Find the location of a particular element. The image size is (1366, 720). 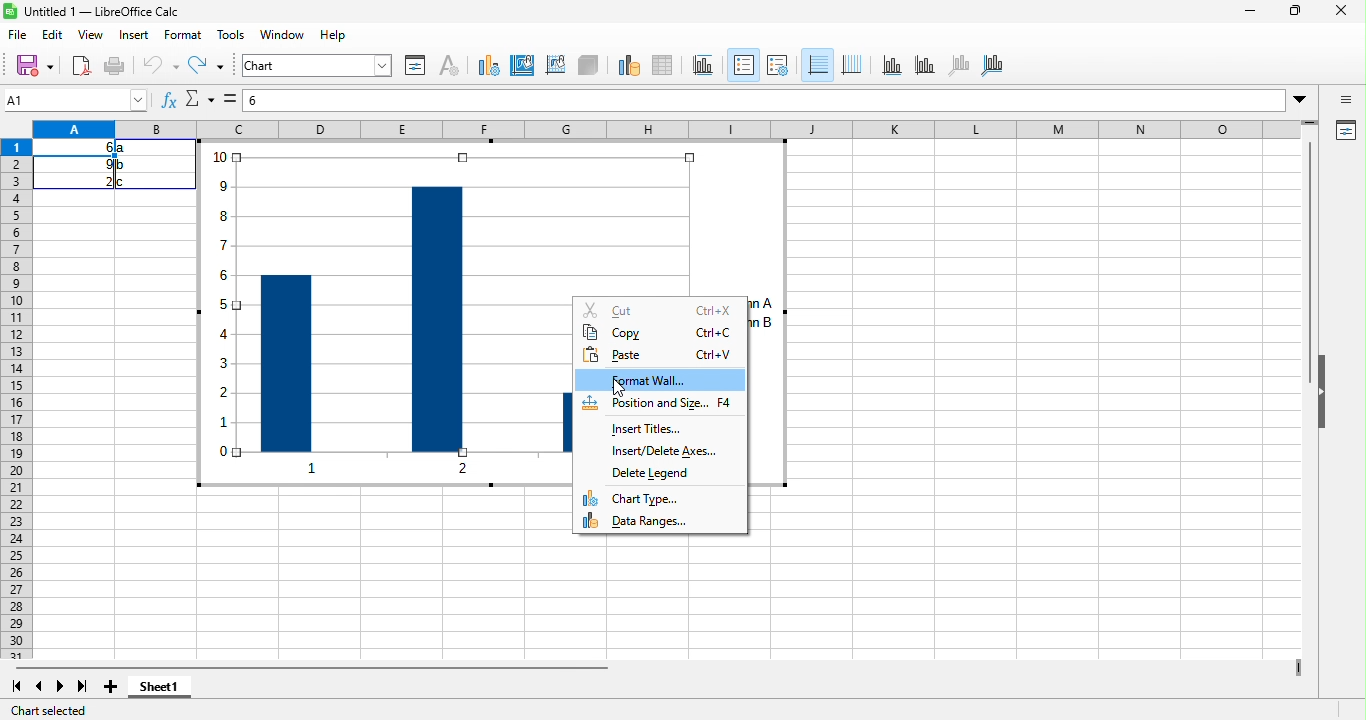

previous is located at coordinates (39, 688).